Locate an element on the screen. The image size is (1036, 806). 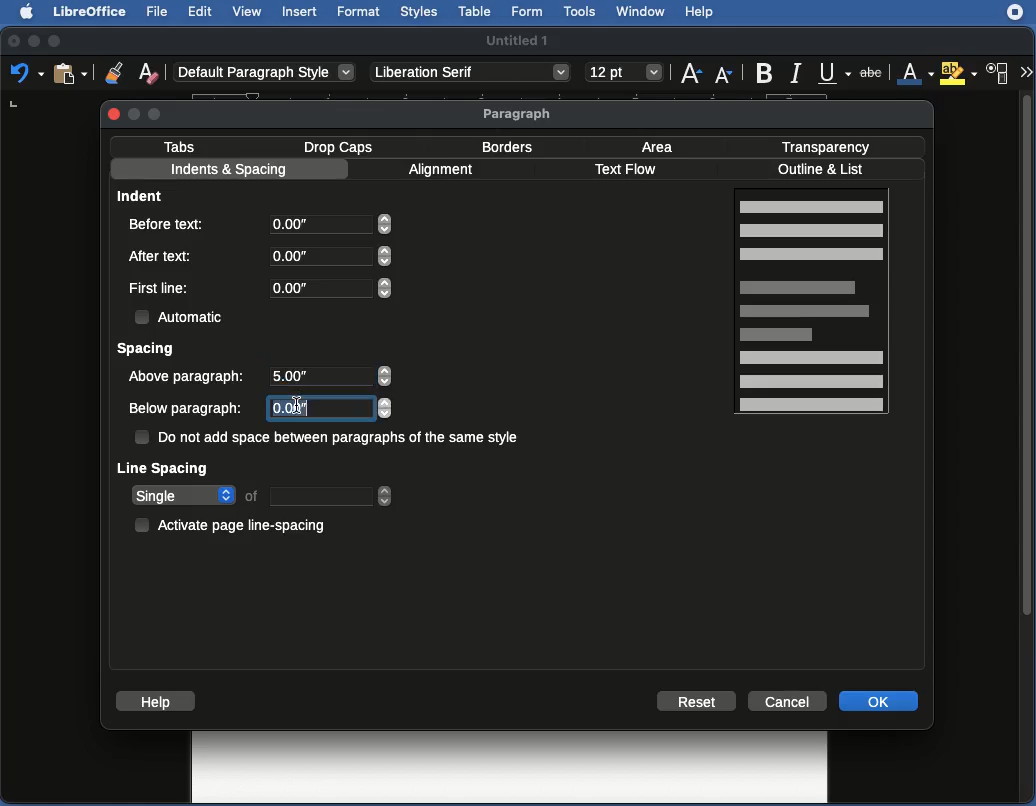
Insert is located at coordinates (299, 11).